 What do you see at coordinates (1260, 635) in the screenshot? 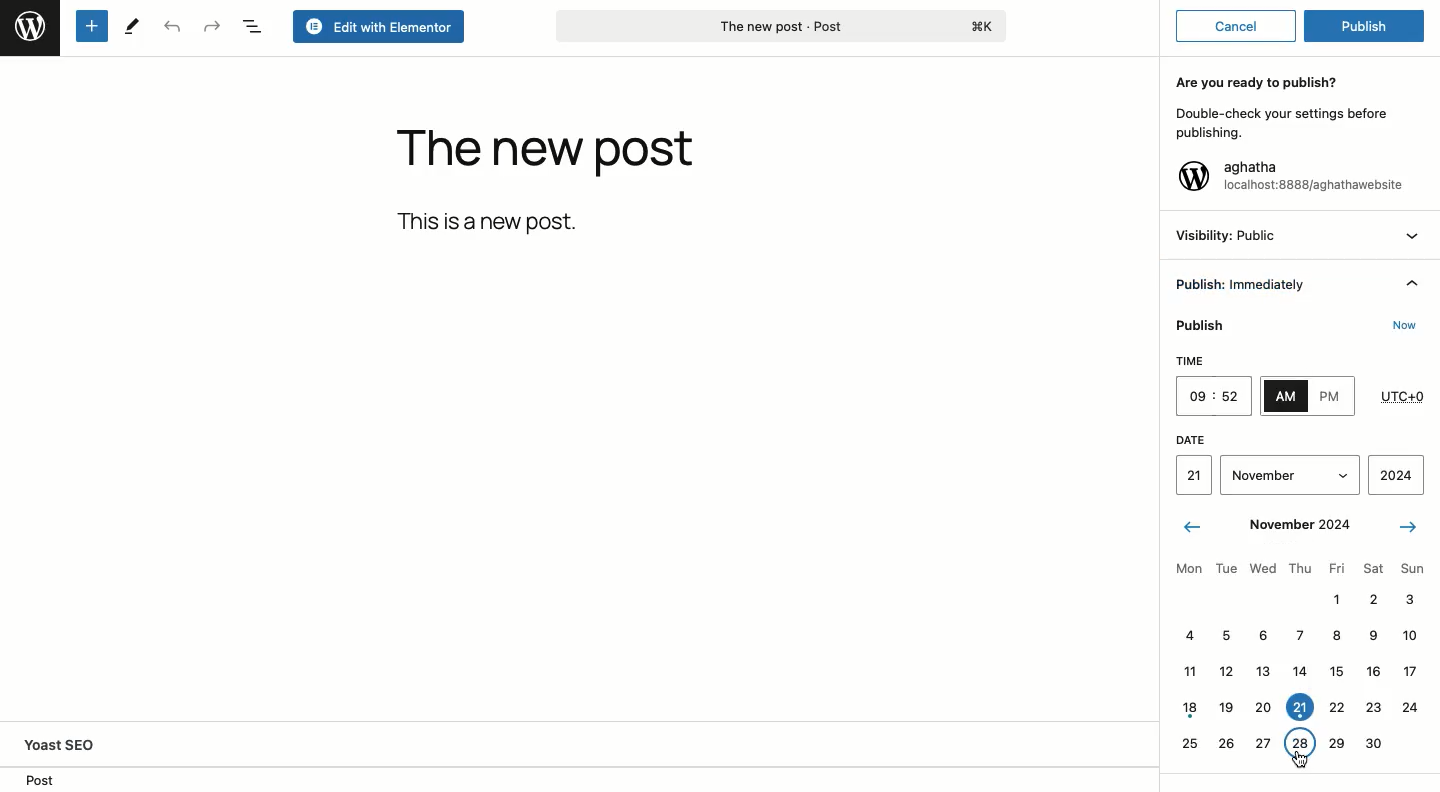
I see `6` at bounding box center [1260, 635].